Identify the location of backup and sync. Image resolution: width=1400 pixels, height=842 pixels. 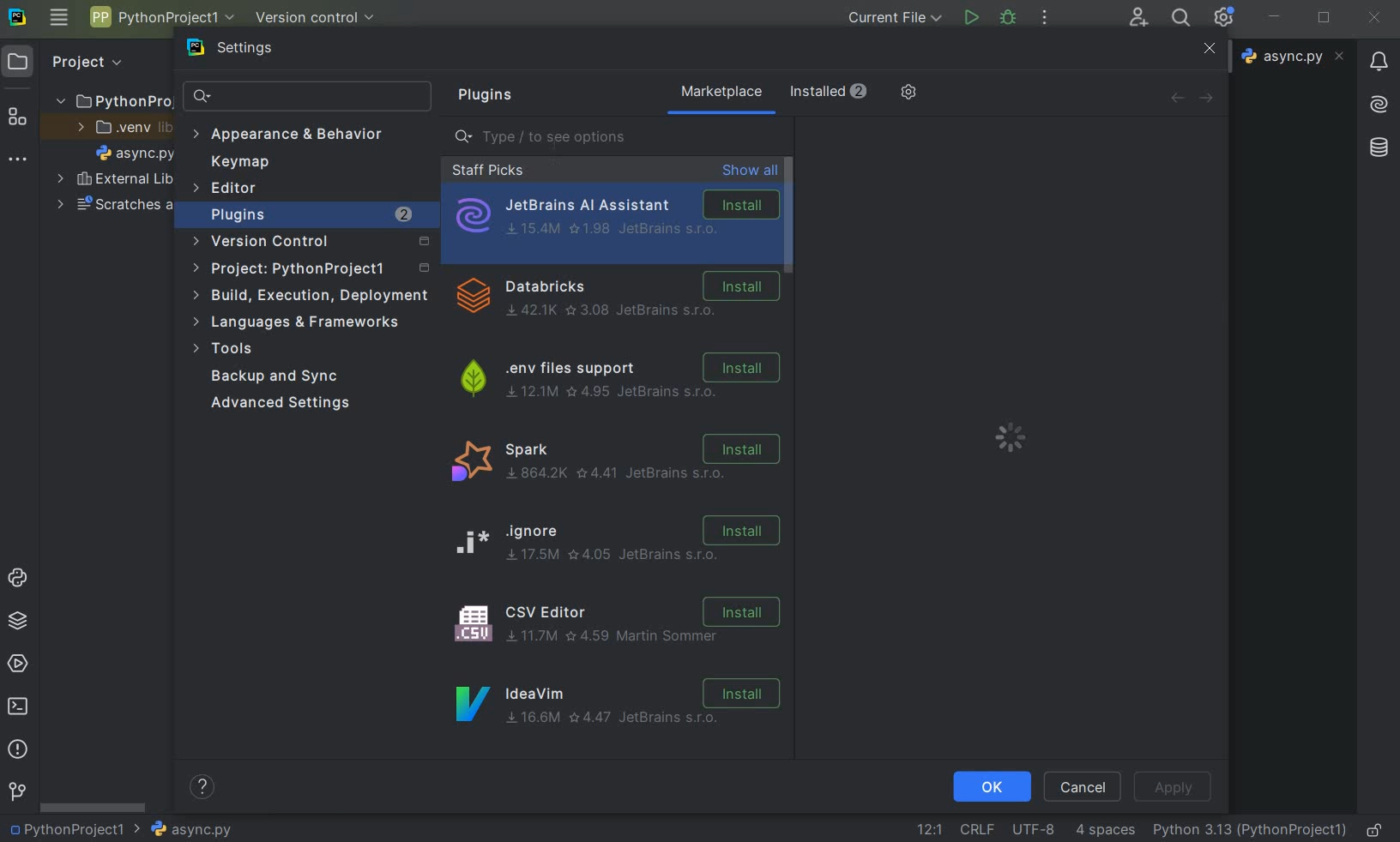
(287, 377).